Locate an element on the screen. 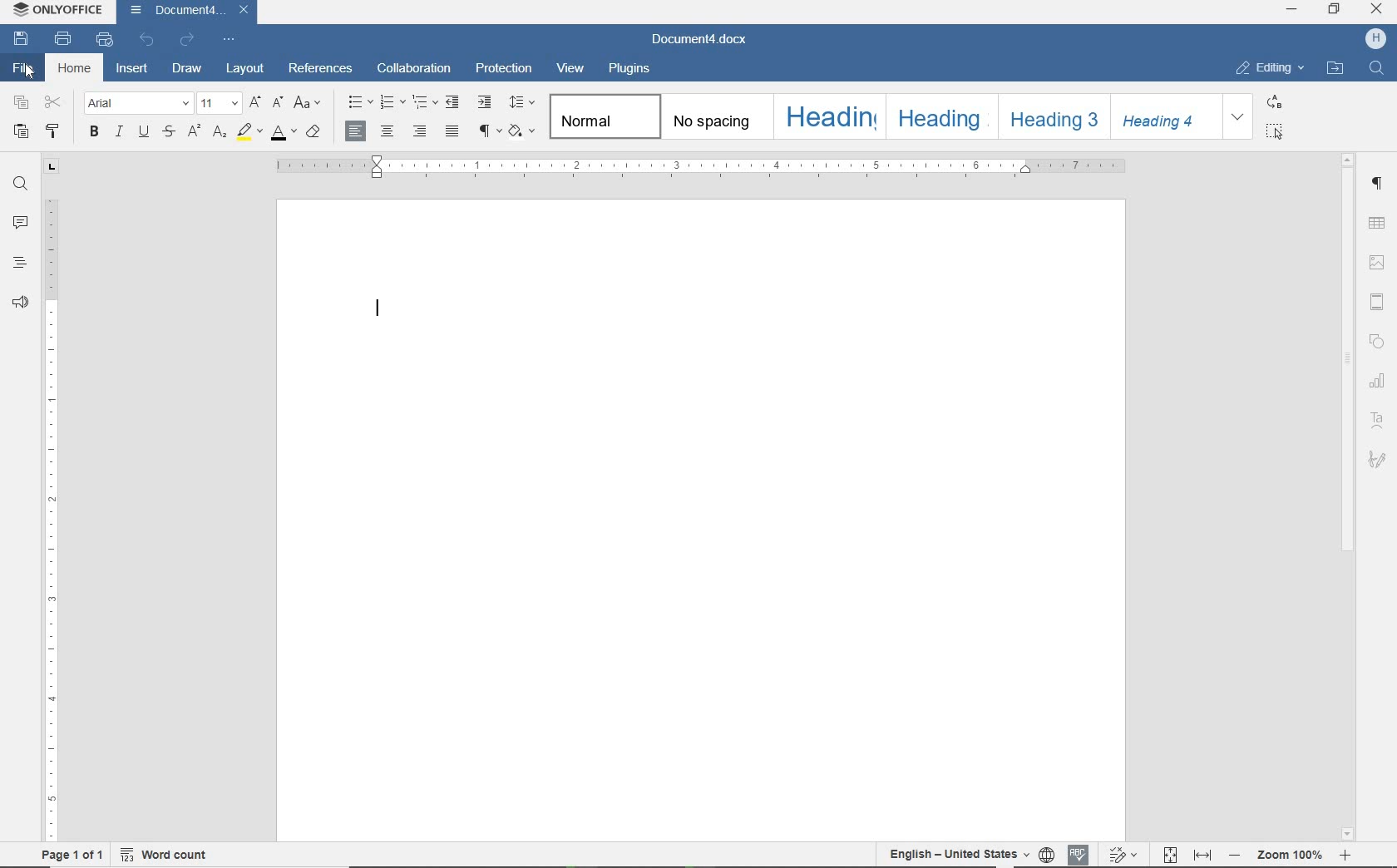  justified is located at coordinates (454, 131).